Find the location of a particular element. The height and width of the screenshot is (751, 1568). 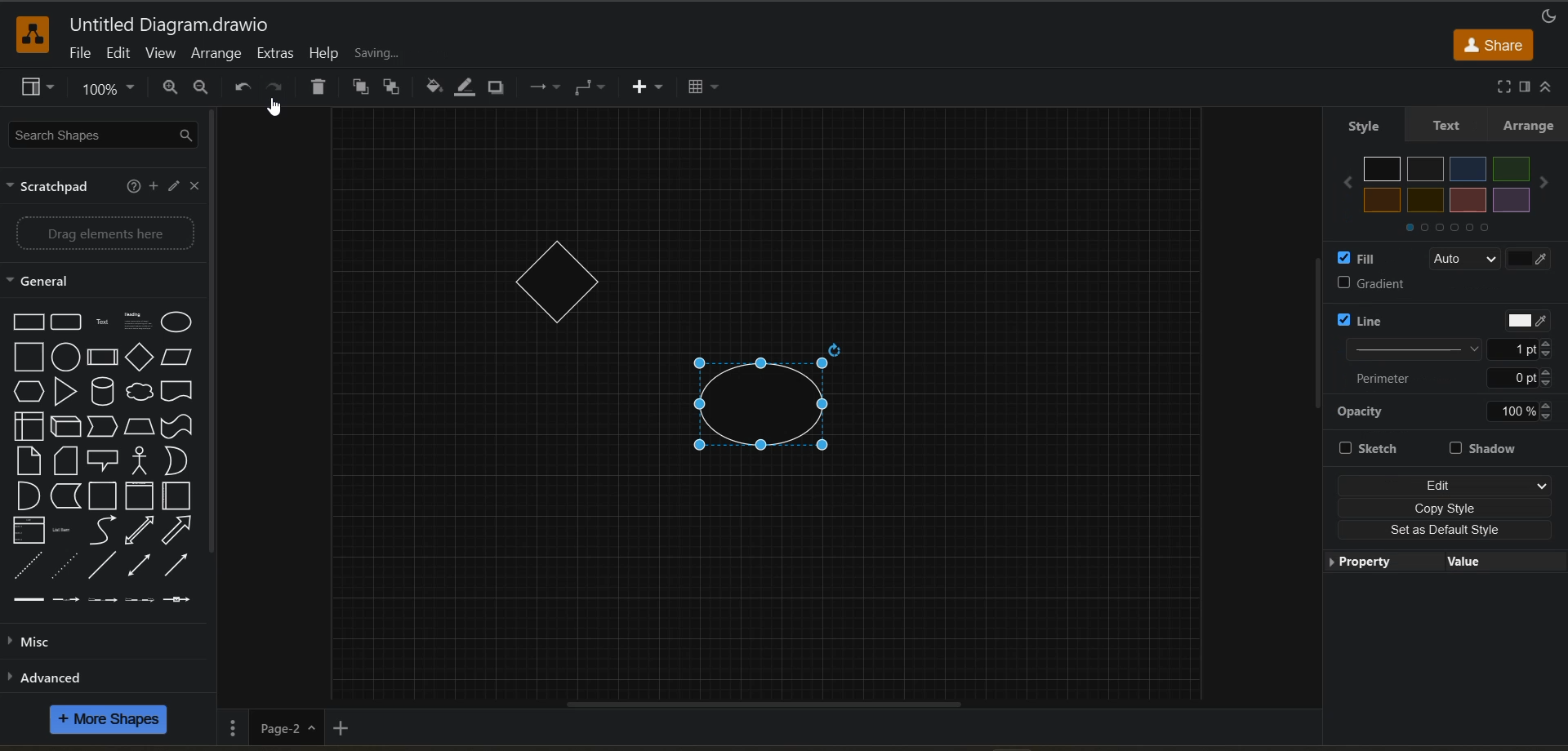

bidirectional connector is located at coordinates (138, 566).